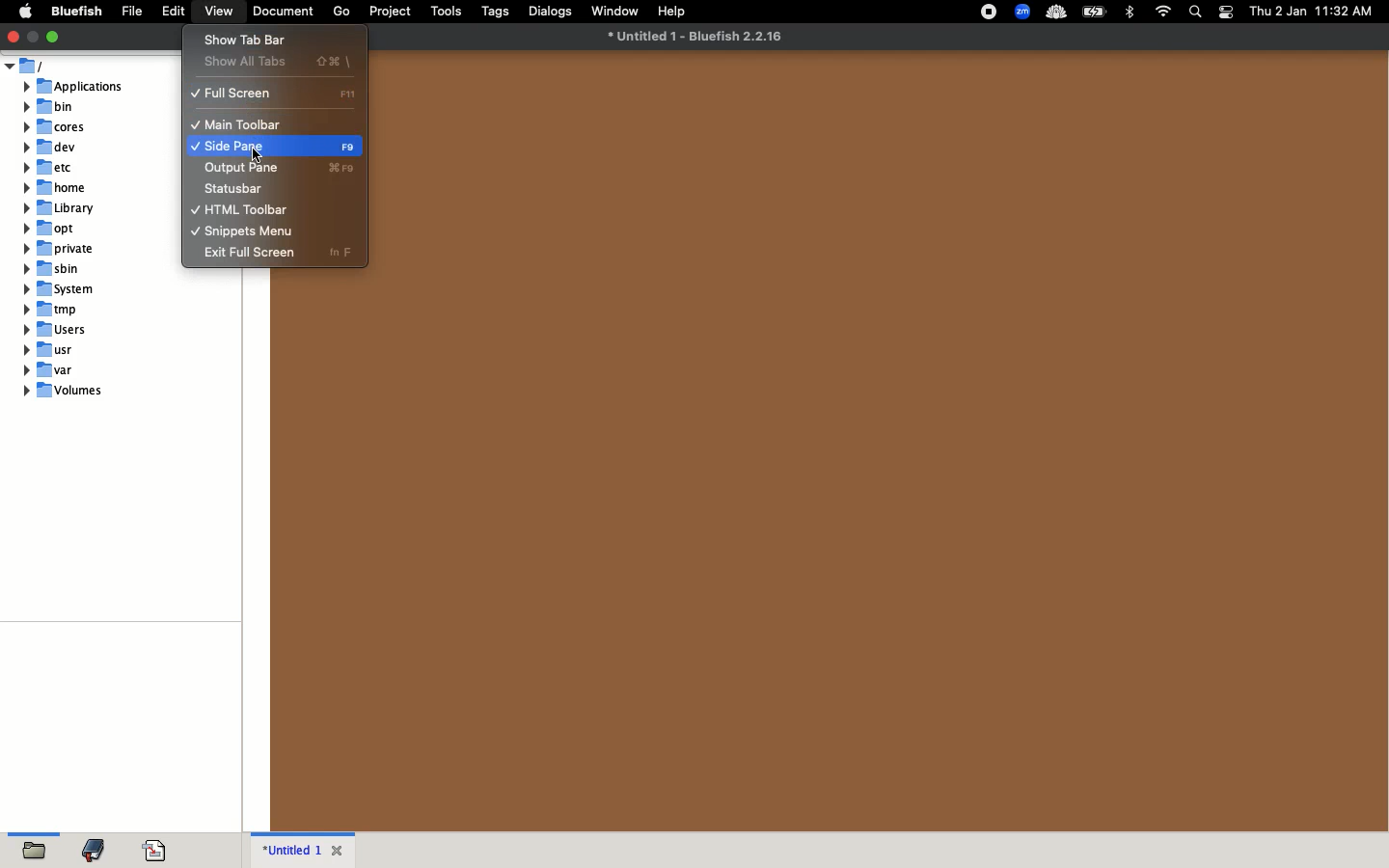 The height and width of the screenshot is (868, 1389). What do you see at coordinates (135, 13) in the screenshot?
I see `file` at bounding box center [135, 13].